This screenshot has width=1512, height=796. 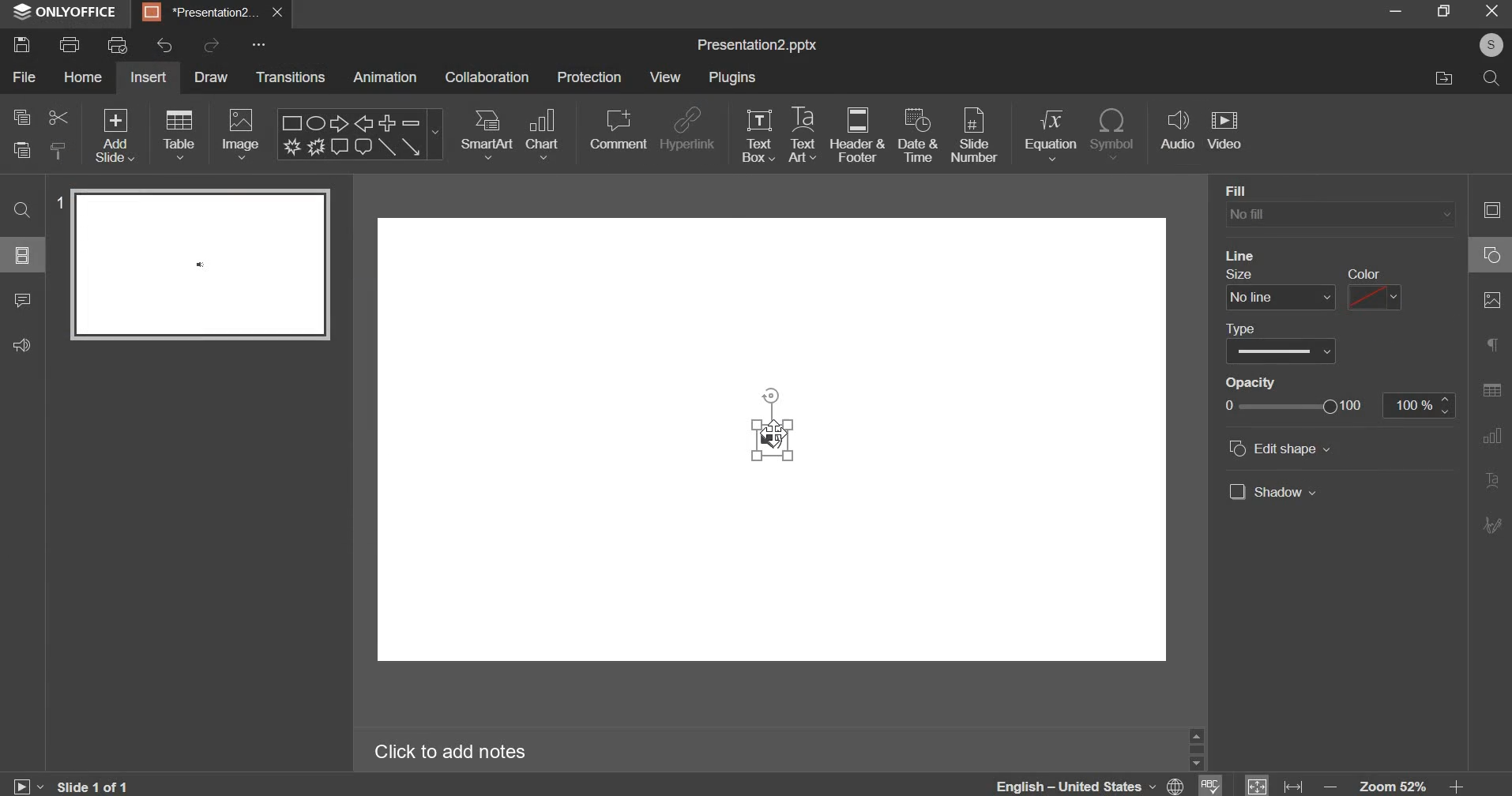 What do you see at coordinates (277, 13) in the screenshot?
I see `close` at bounding box center [277, 13].